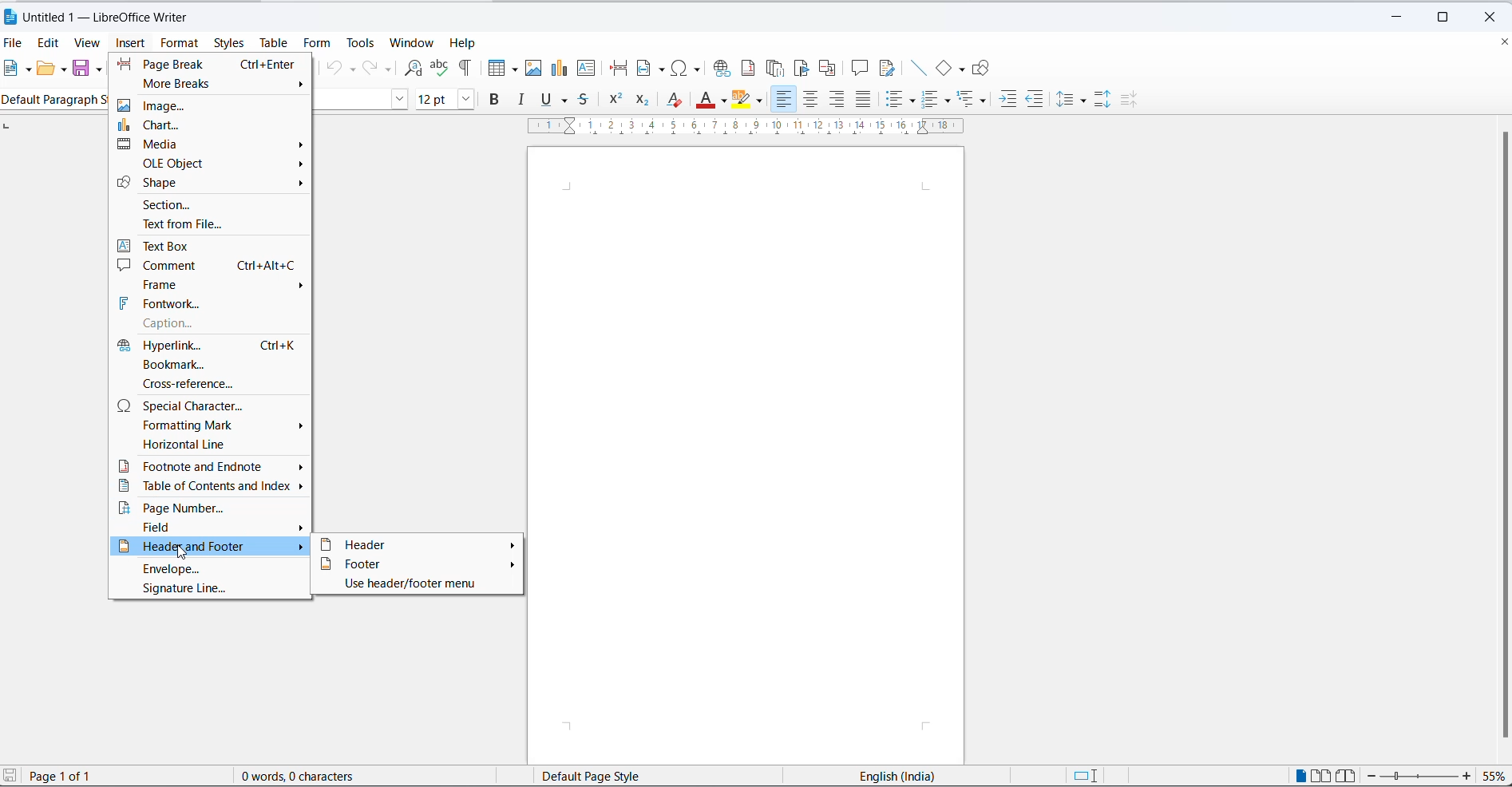  What do you see at coordinates (214, 246) in the screenshot?
I see `text box` at bounding box center [214, 246].